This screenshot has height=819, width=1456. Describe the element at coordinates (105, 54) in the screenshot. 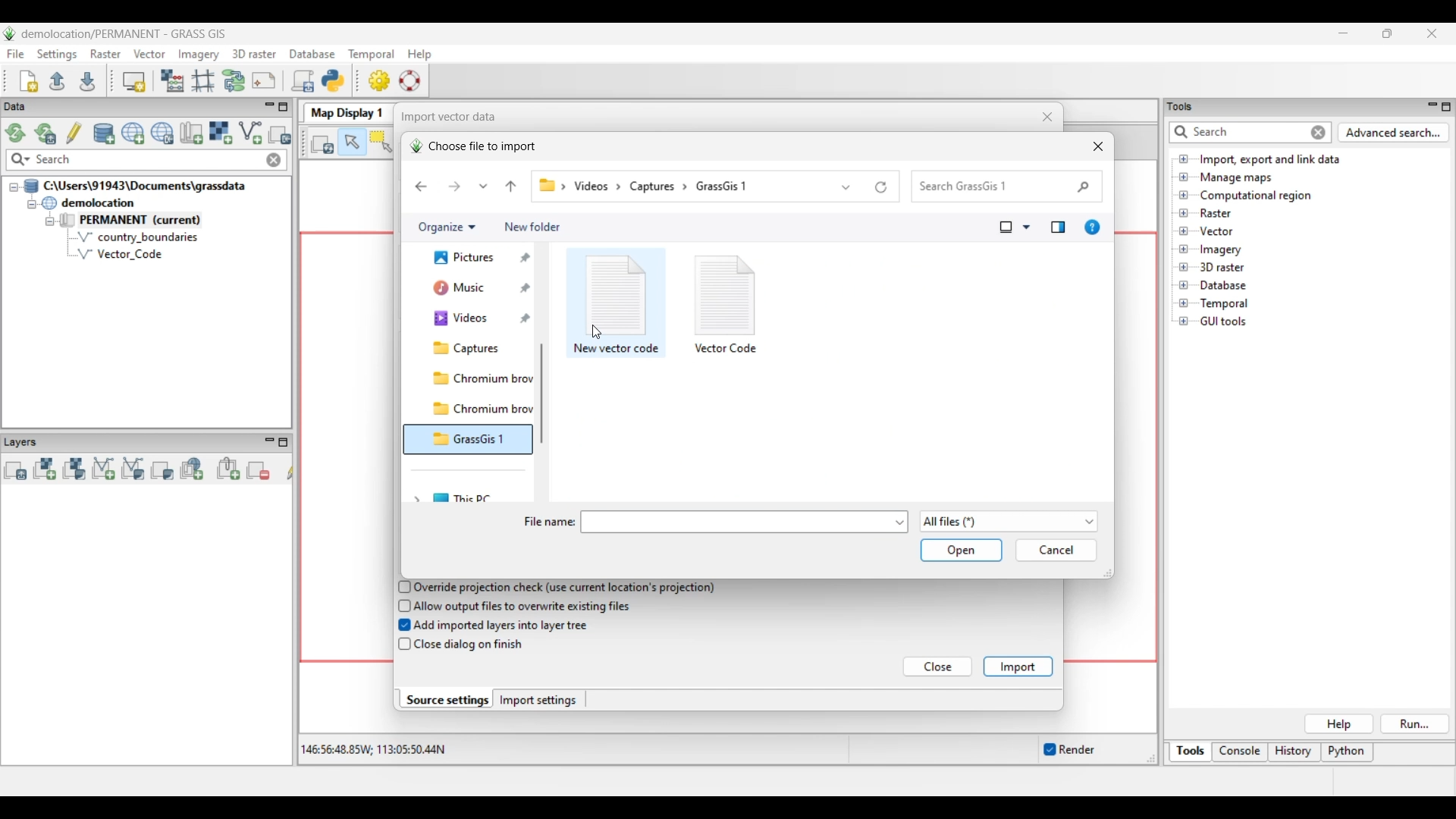

I see `Raster menu` at that location.